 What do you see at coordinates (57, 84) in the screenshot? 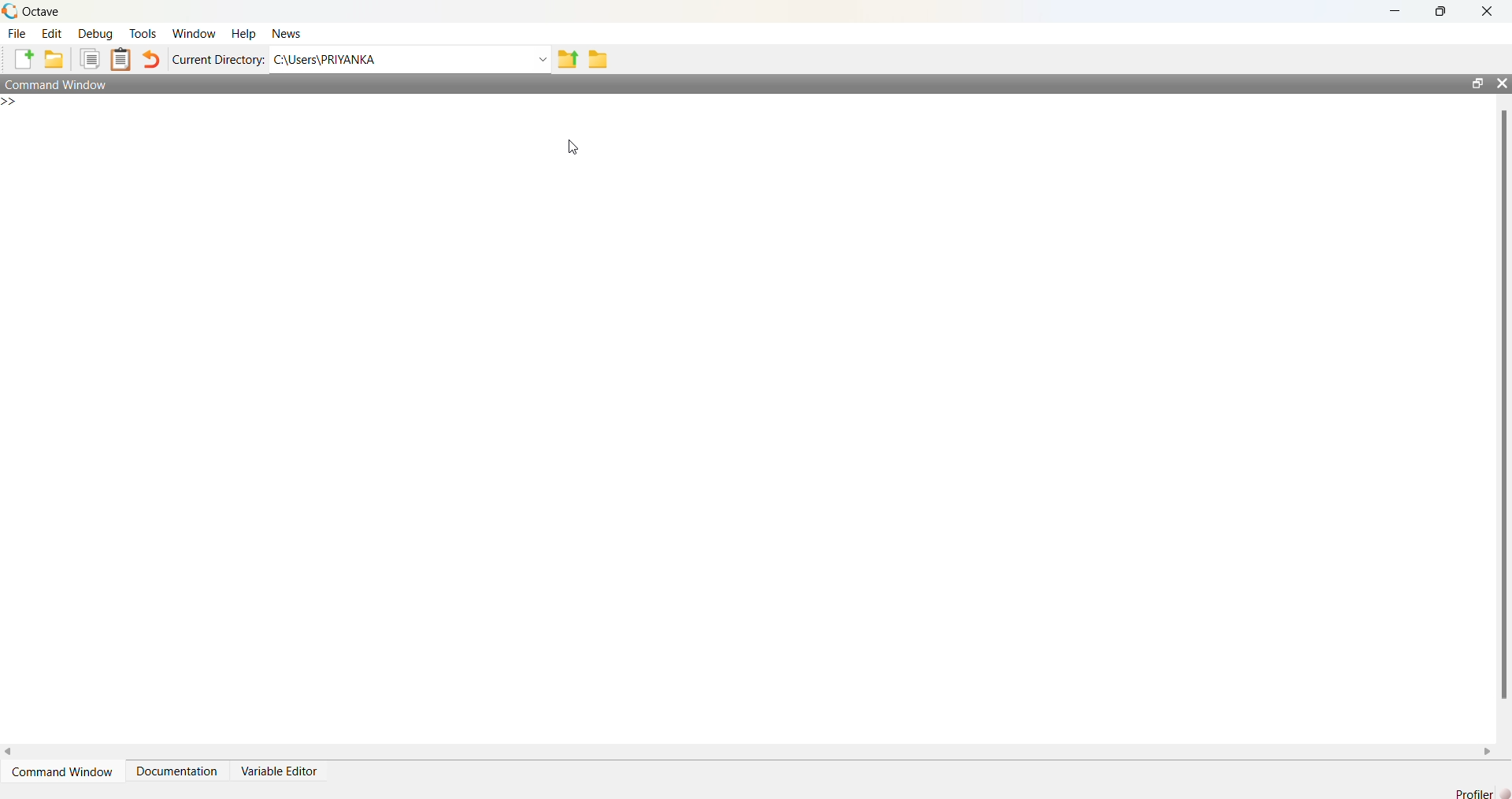
I see `Command Window` at bounding box center [57, 84].